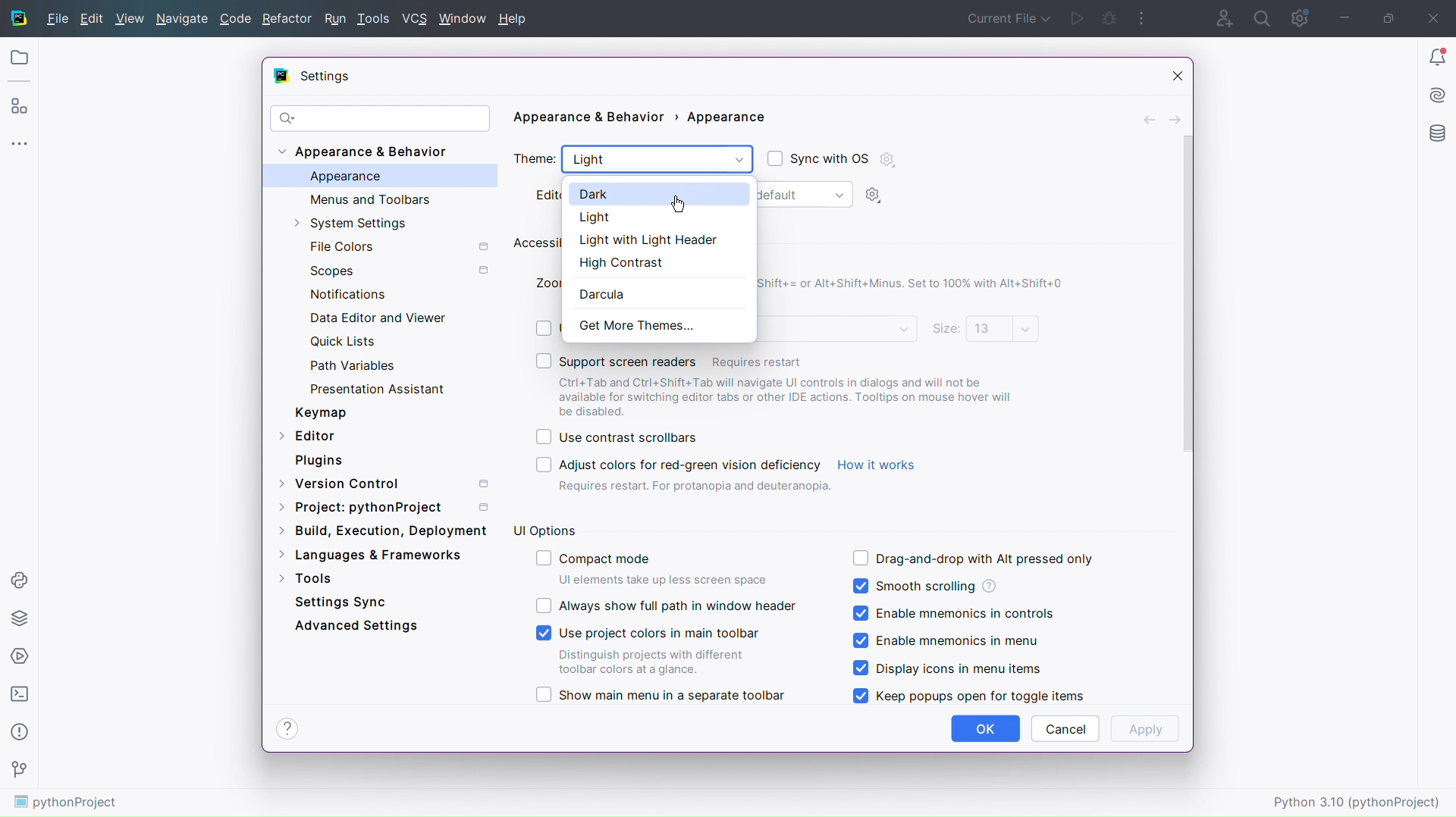 The height and width of the screenshot is (817, 1456). What do you see at coordinates (887, 159) in the screenshot?
I see `Os settings` at bounding box center [887, 159].